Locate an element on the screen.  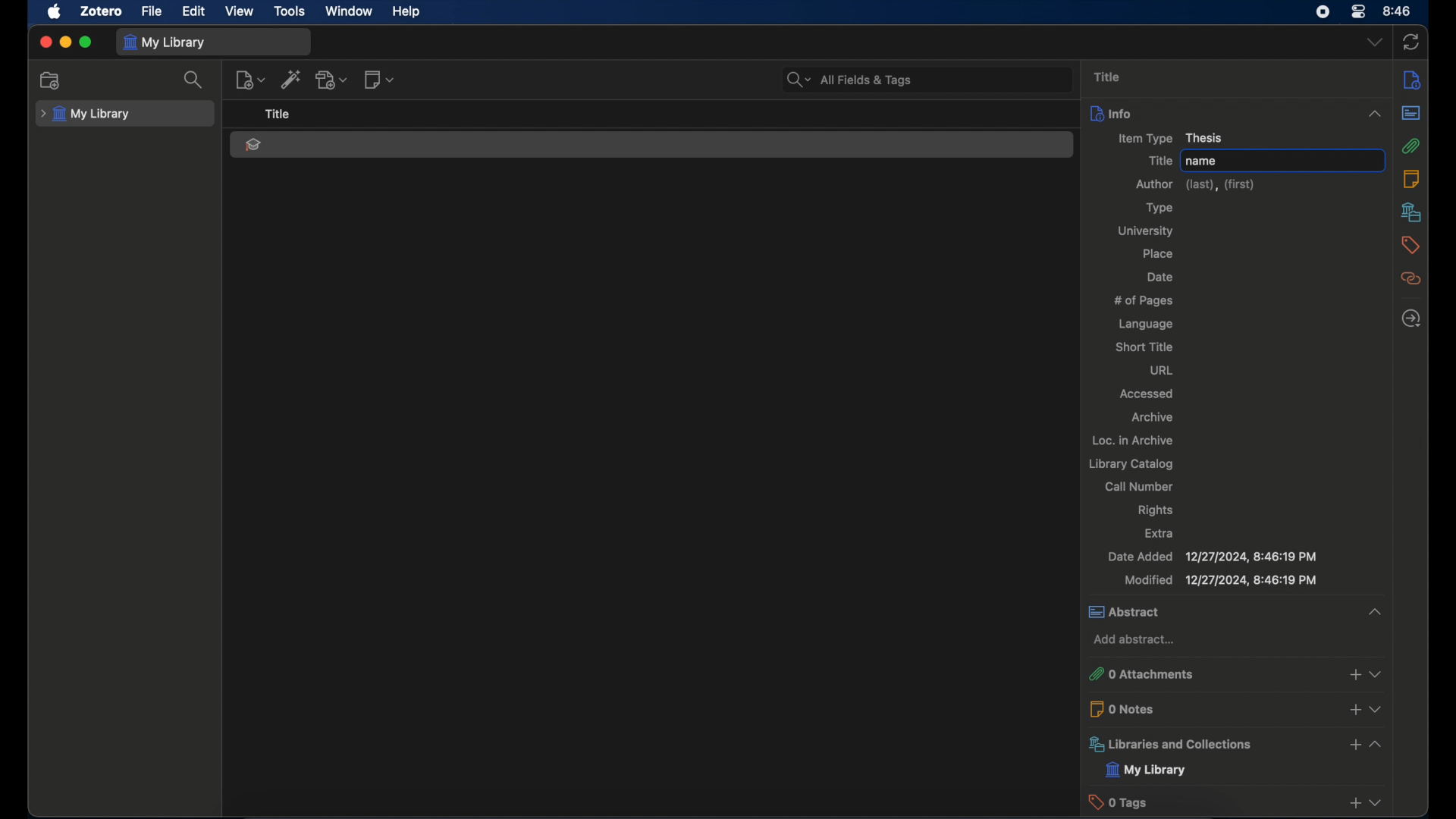
title is located at coordinates (277, 115).